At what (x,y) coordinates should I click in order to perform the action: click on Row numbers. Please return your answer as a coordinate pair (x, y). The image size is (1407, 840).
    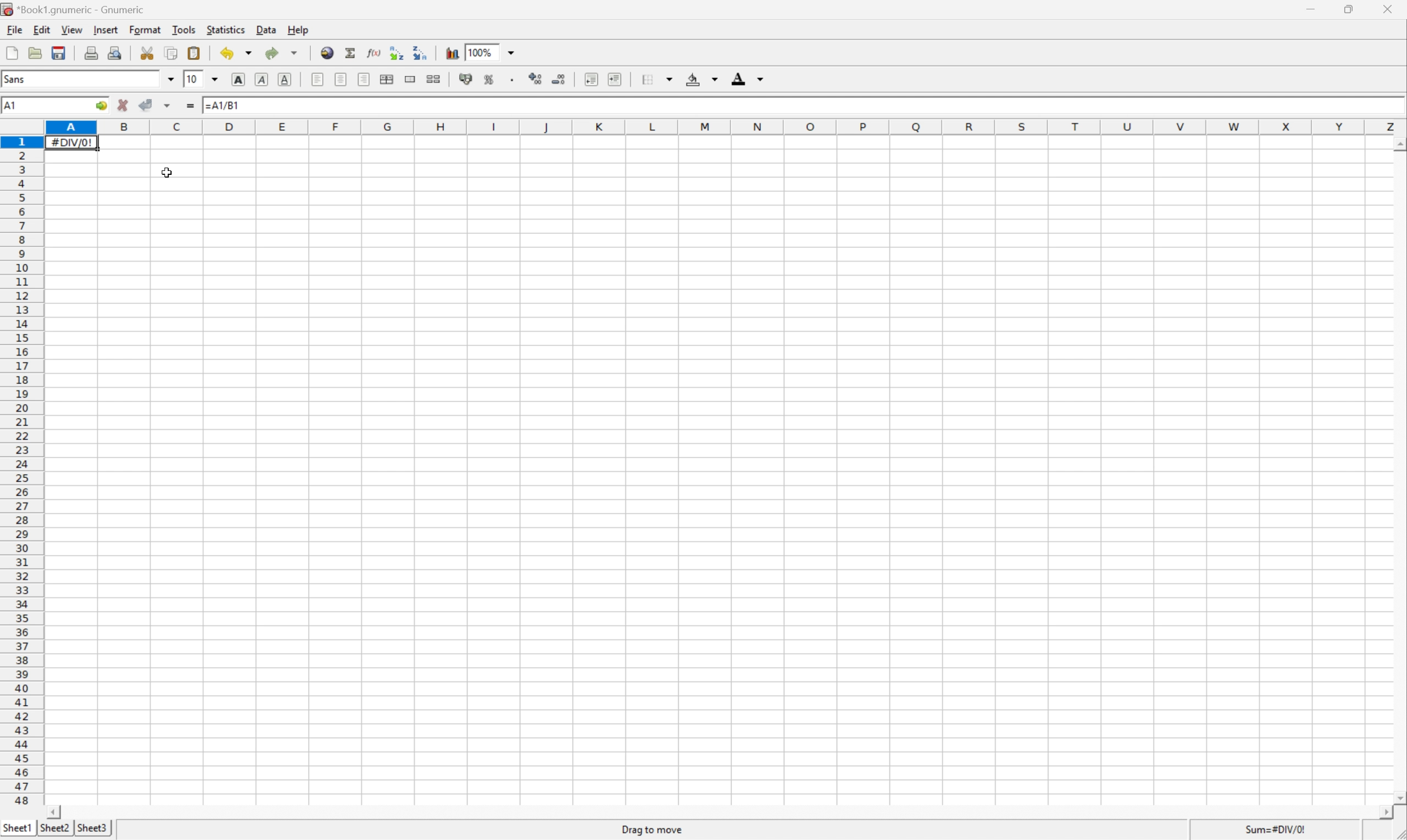
    Looking at the image, I should click on (20, 471).